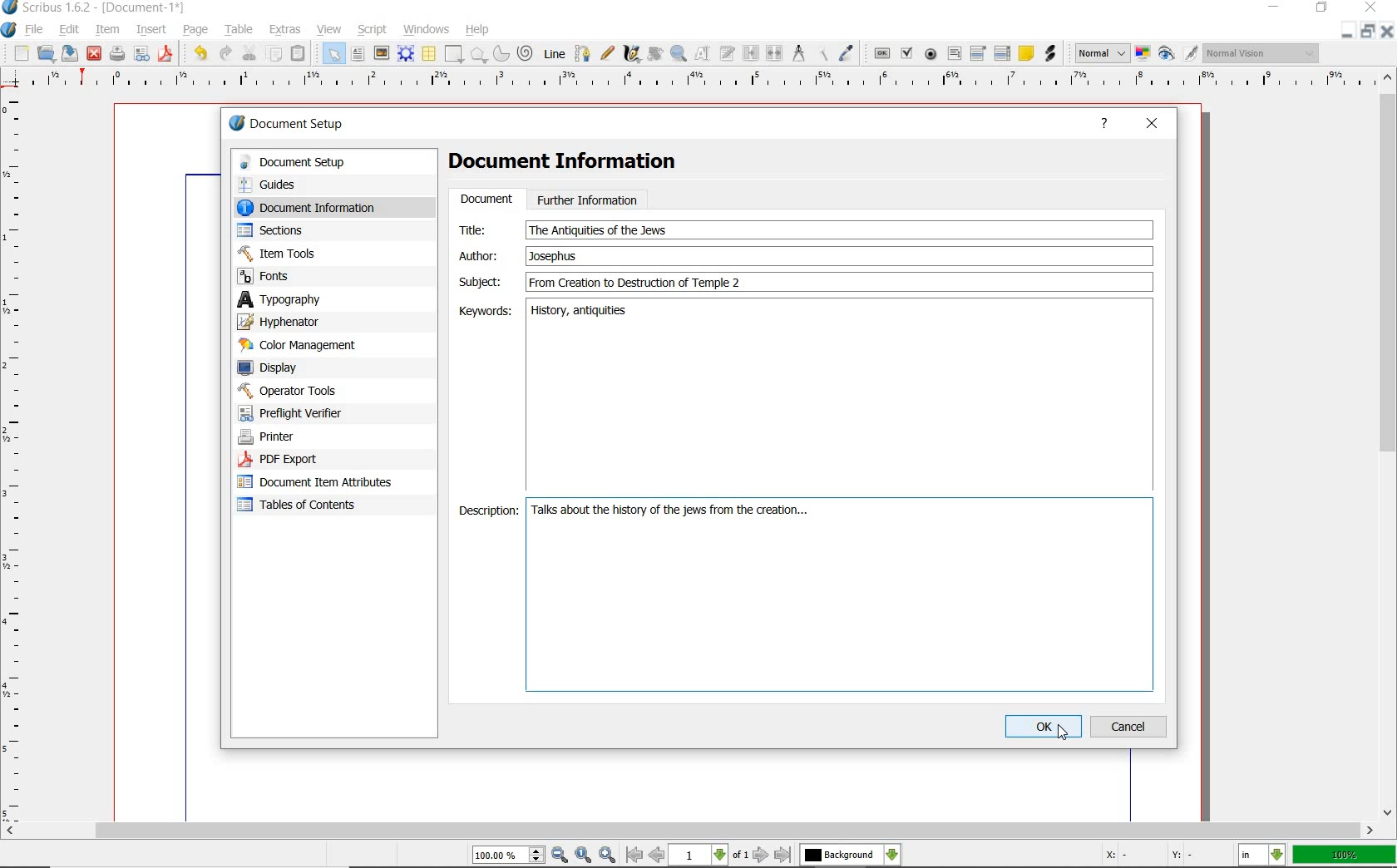 This screenshot has height=868, width=1397. What do you see at coordinates (704, 55) in the screenshot?
I see `edit contents of frame` at bounding box center [704, 55].